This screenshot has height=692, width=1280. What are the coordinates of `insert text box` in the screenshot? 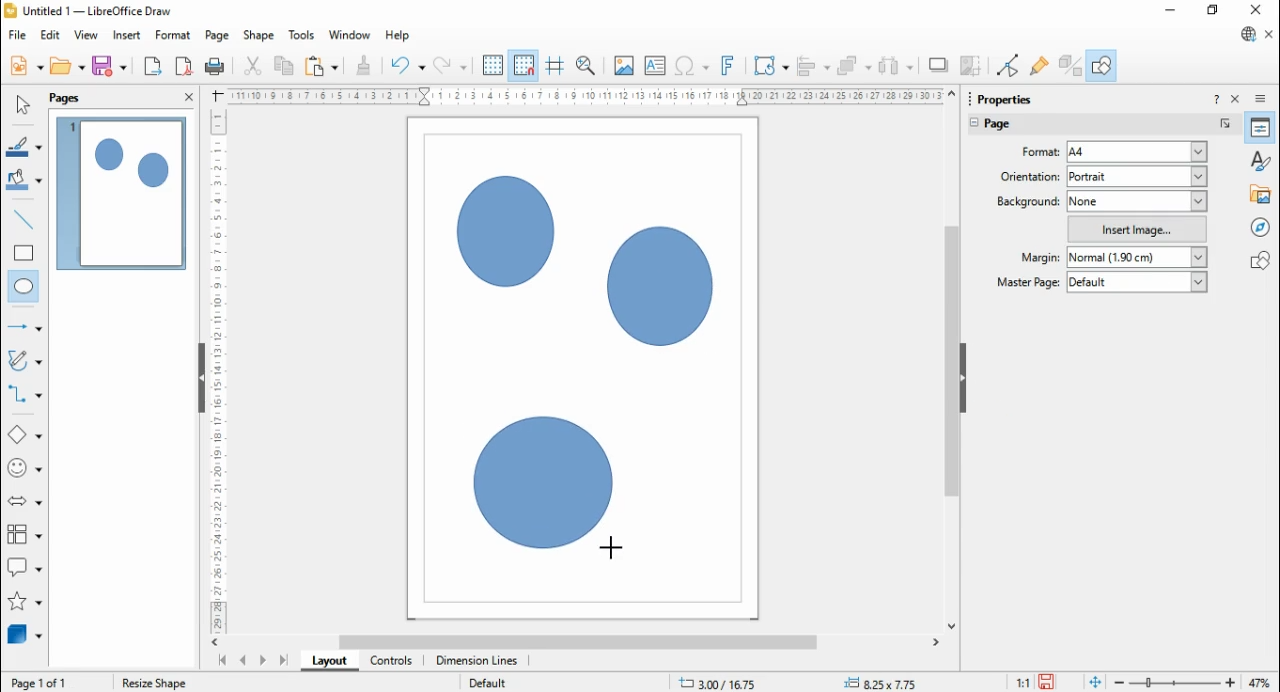 It's located at (654, 65).